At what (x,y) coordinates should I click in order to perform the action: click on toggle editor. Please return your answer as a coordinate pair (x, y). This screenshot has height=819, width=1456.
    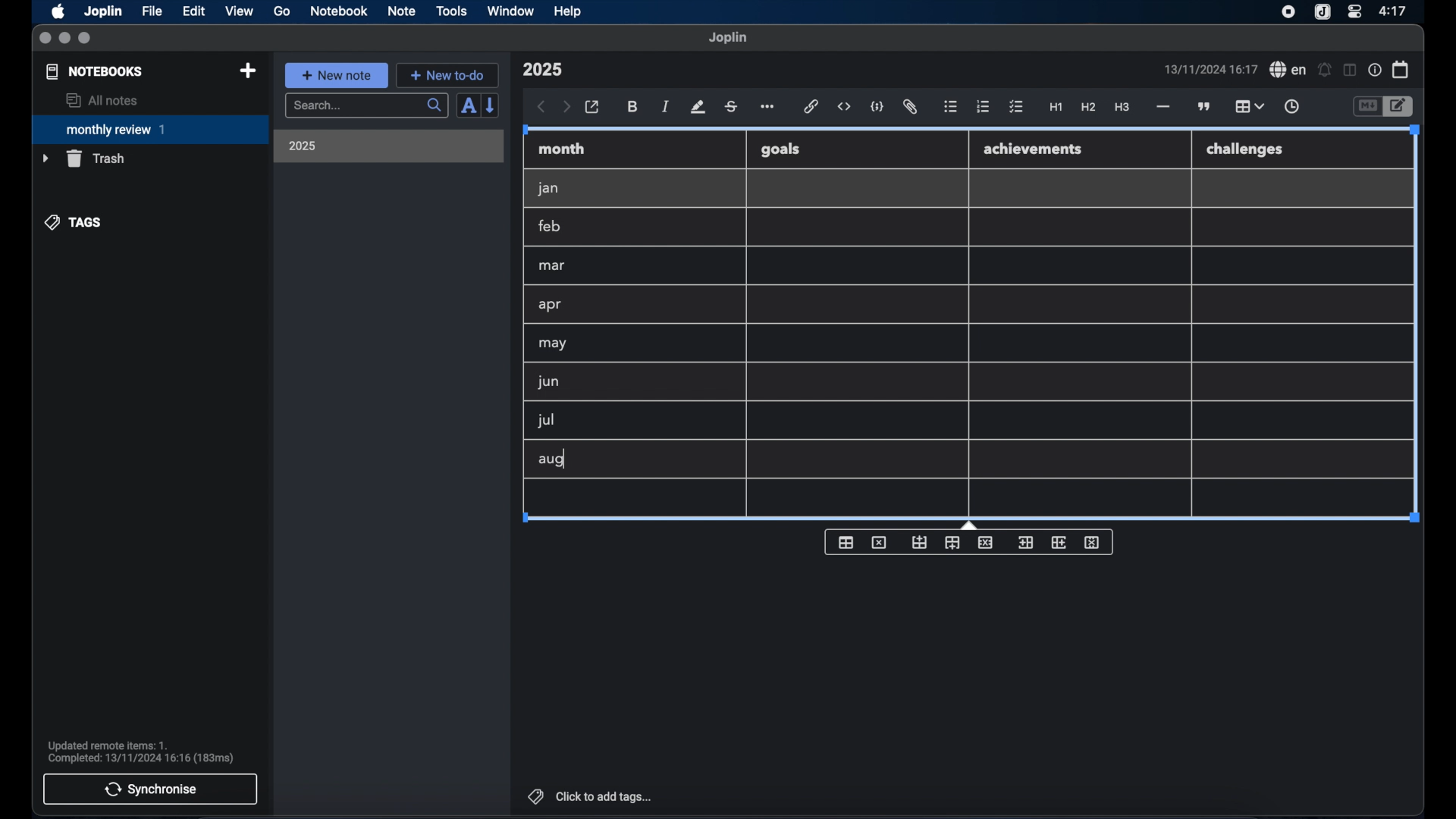
    Looking at the image, I should click on (1401, 107).